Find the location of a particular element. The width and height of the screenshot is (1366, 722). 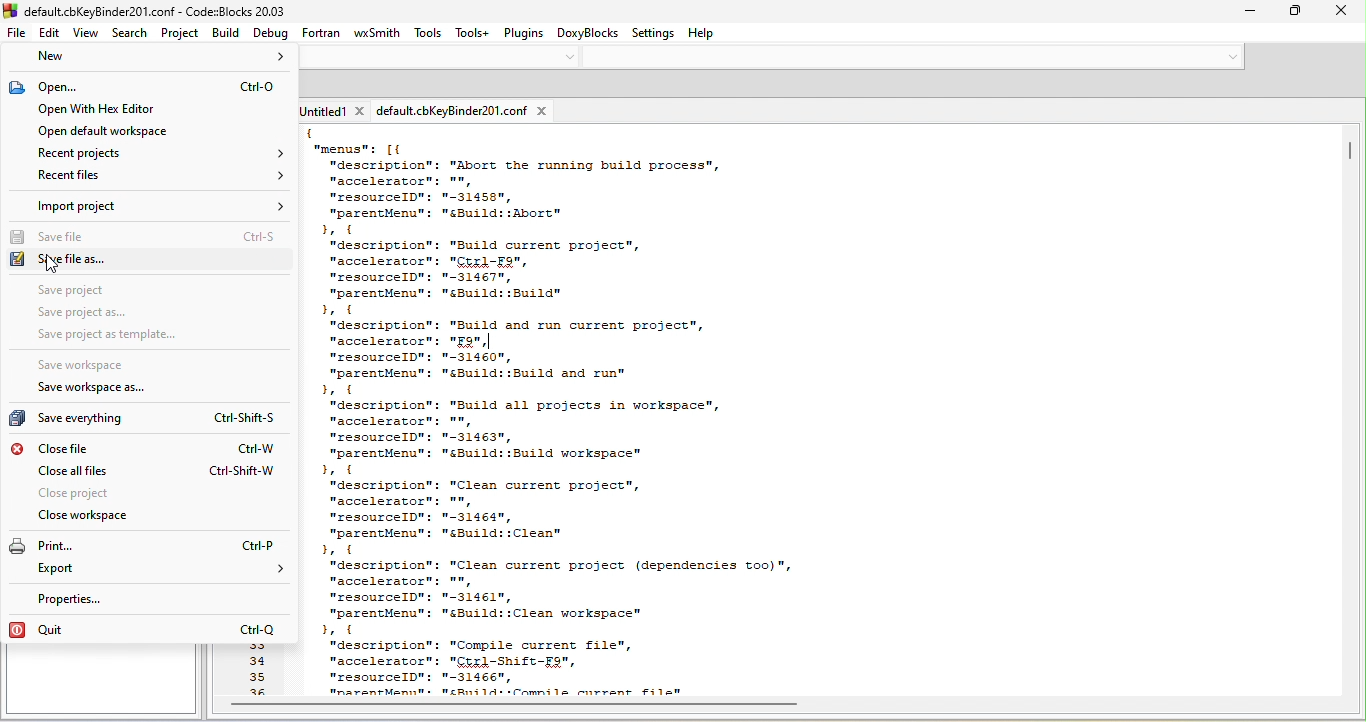

text is located at coordinates (605, 411).